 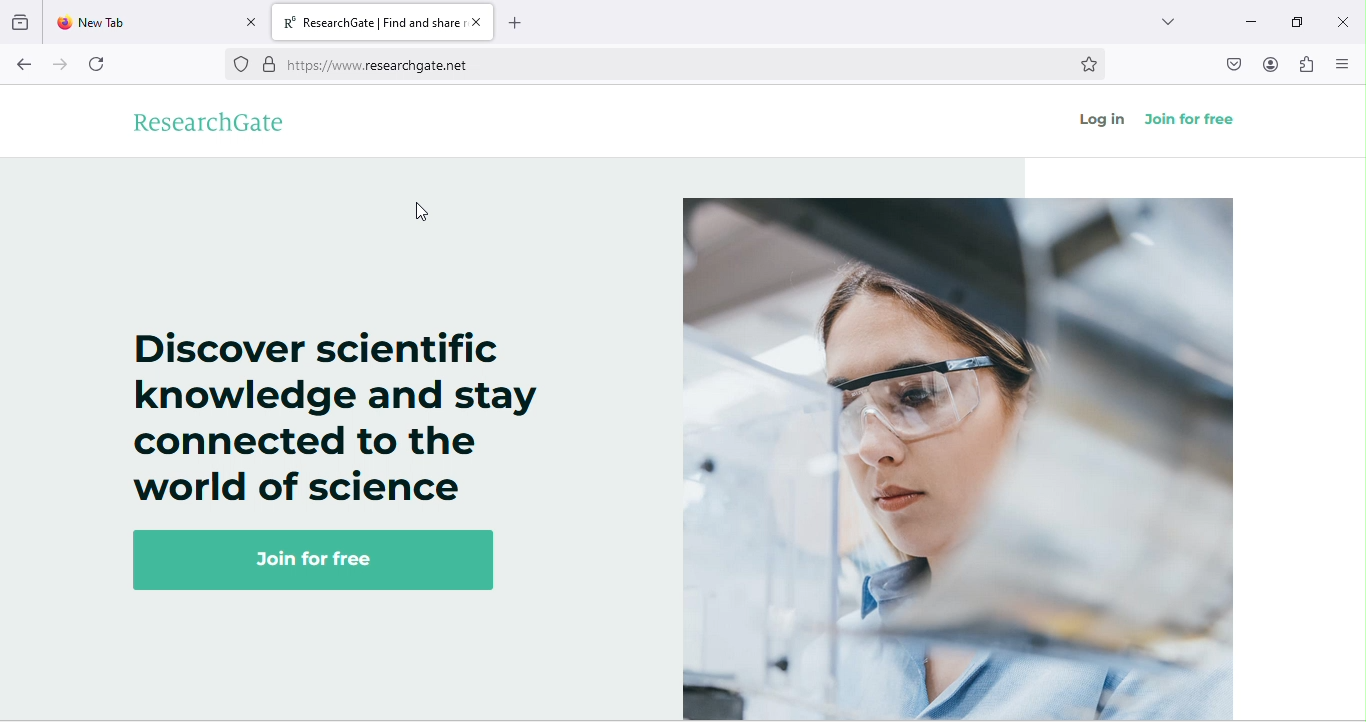 What do you see at coordinates (665, 63) in the screenshot?
I see `web link` at bounding box center [665, 63].